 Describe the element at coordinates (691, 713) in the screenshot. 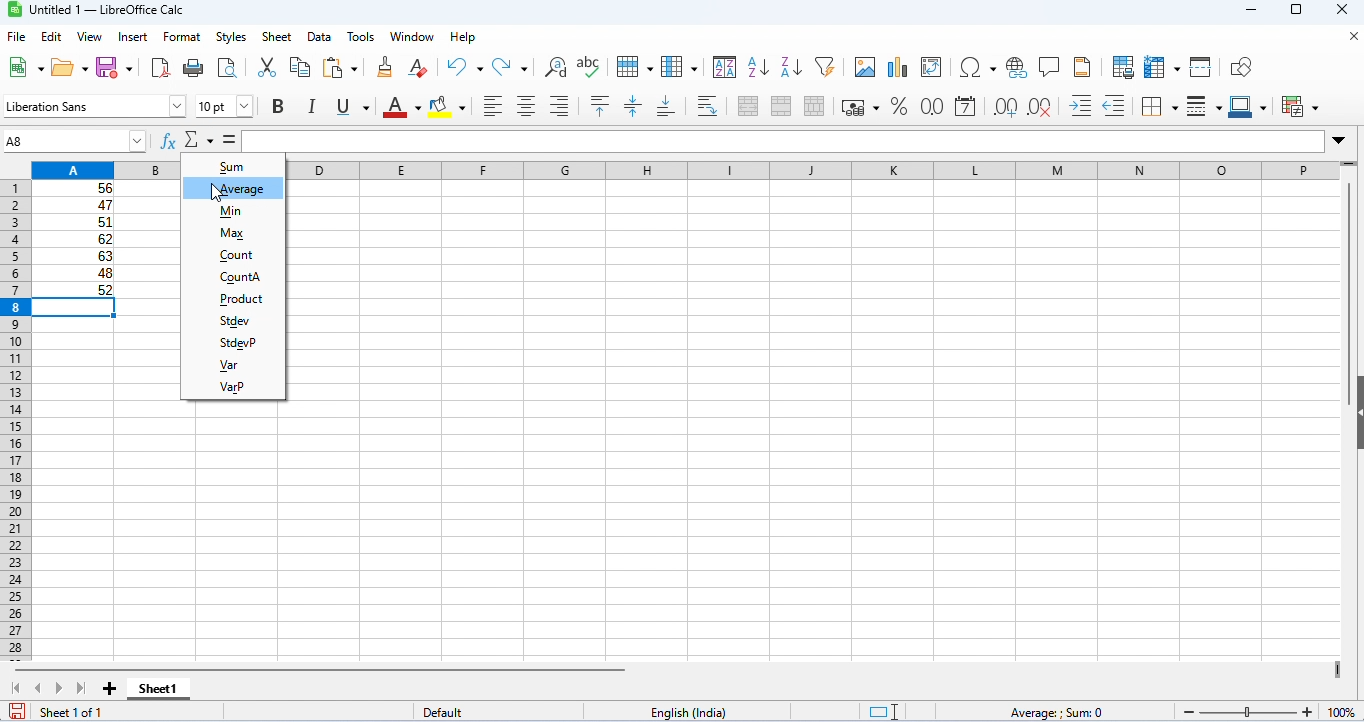

I see `language` at that location.